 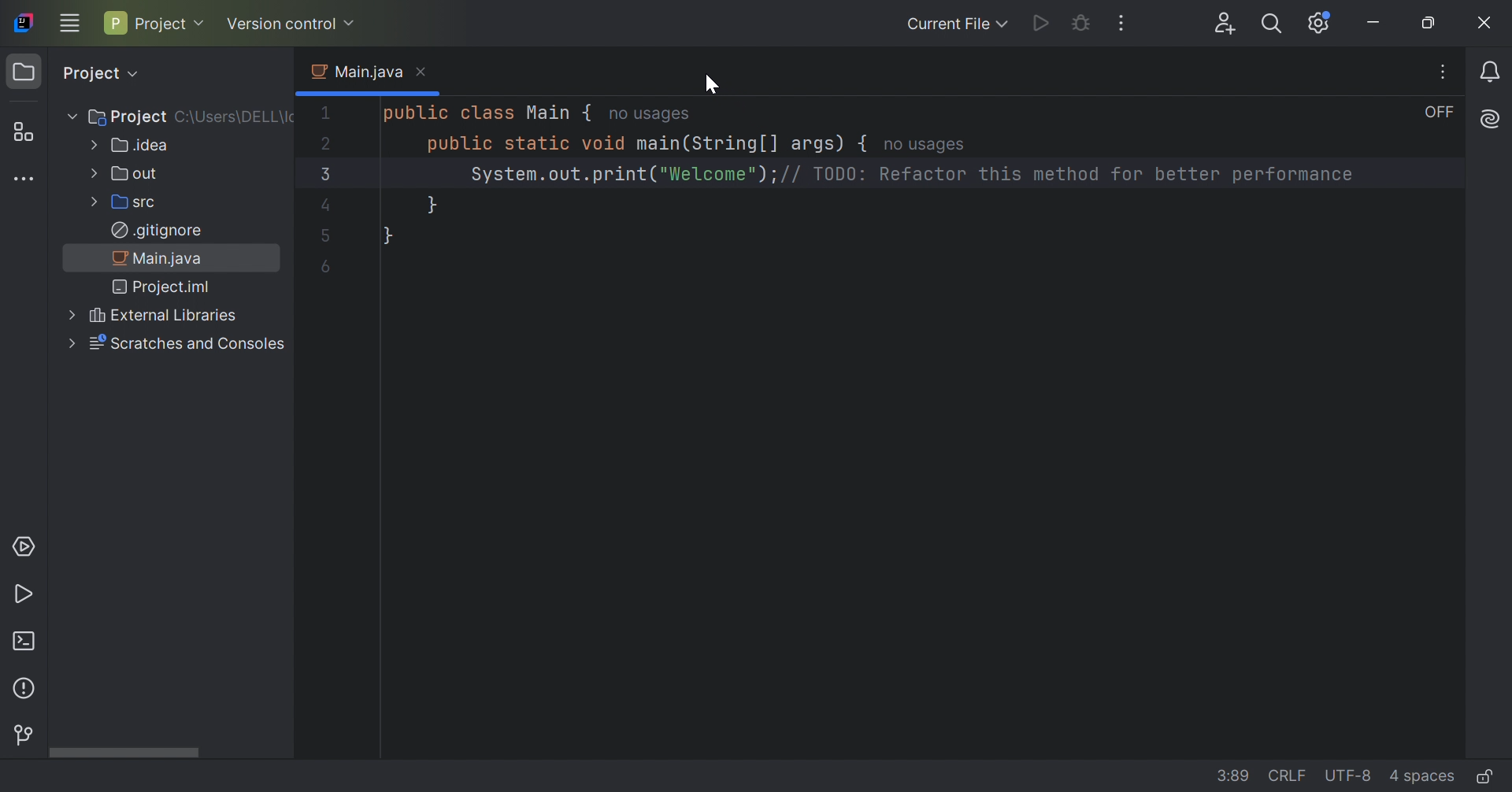 I want to click on Debug, so click(x=1084, y=25).